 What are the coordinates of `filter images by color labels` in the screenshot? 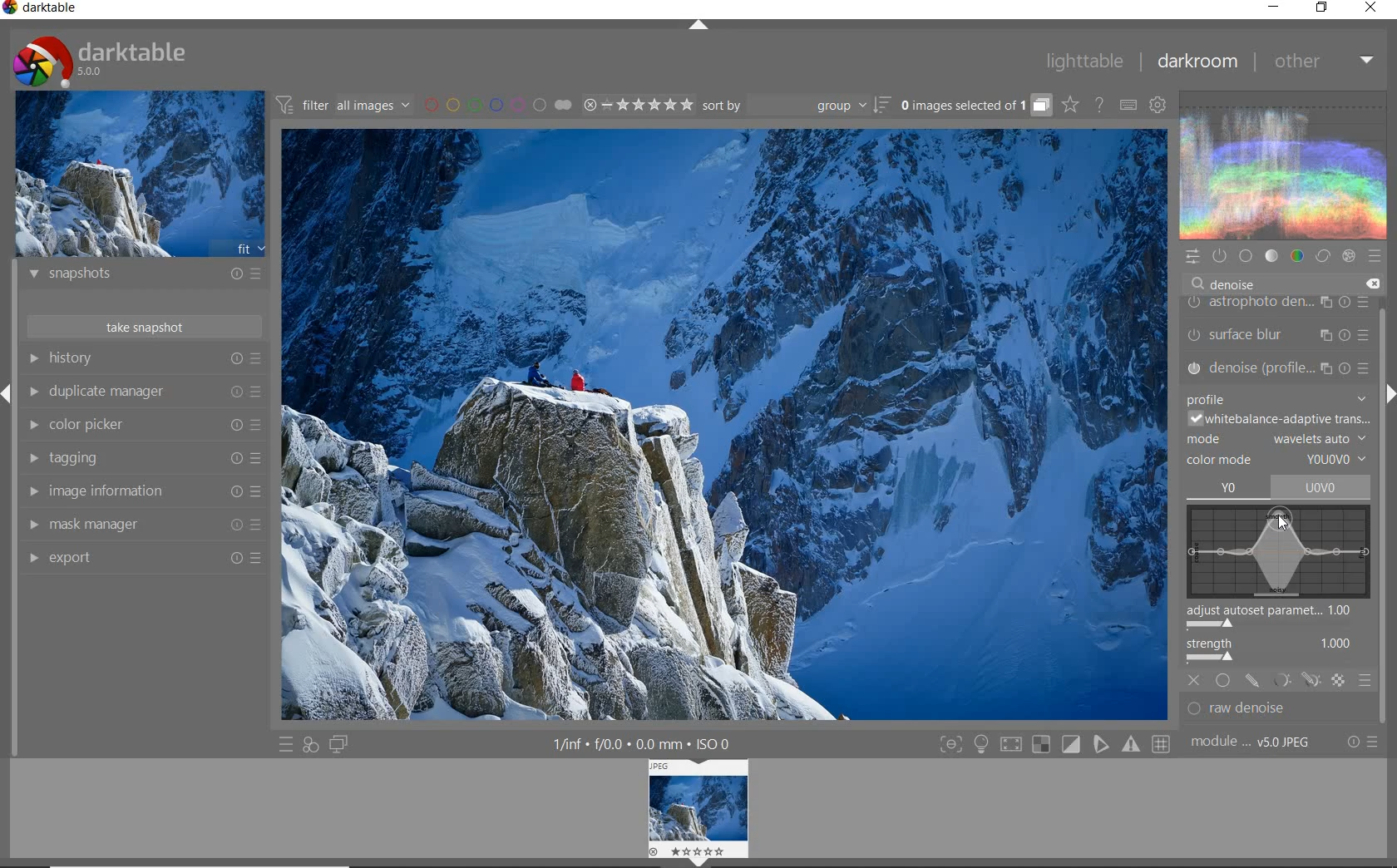 It's located at (498, 104).